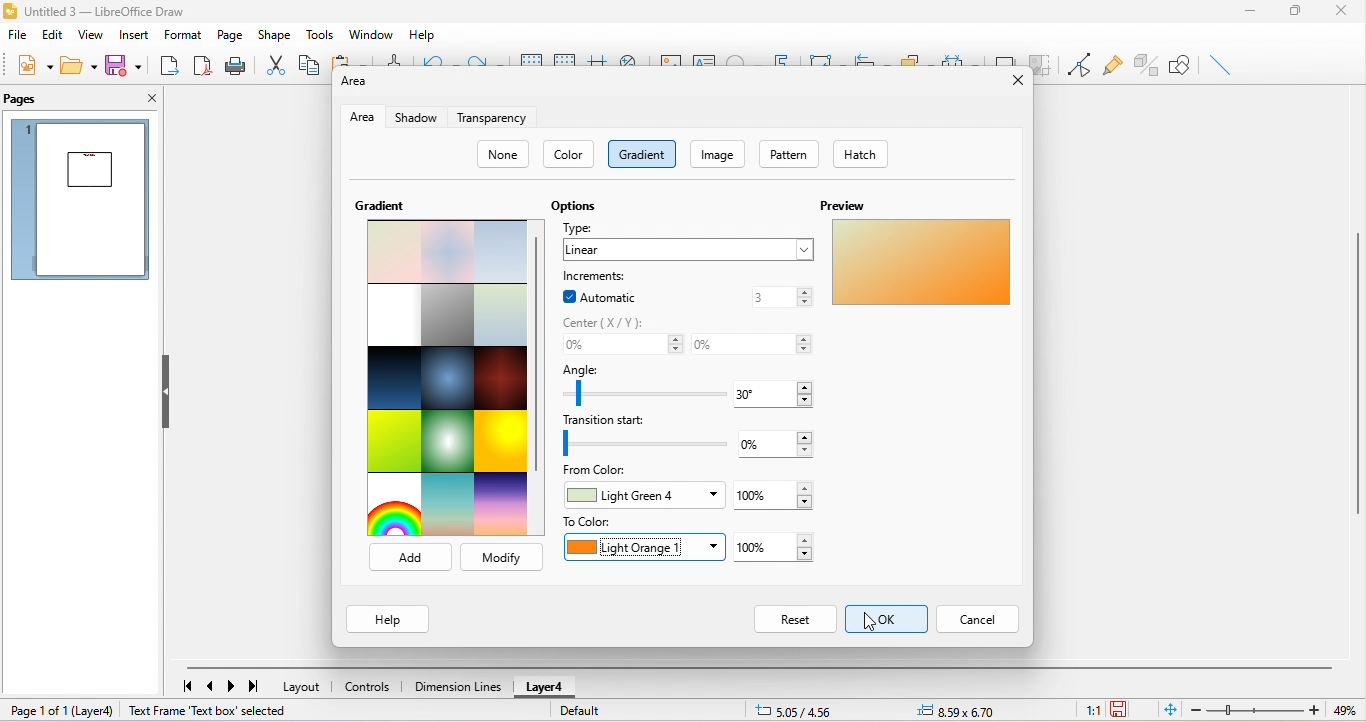 The image size is (1366, 722). Describe the element at coordinates (591, 523) in the screenshot. I see `to color` at that location.